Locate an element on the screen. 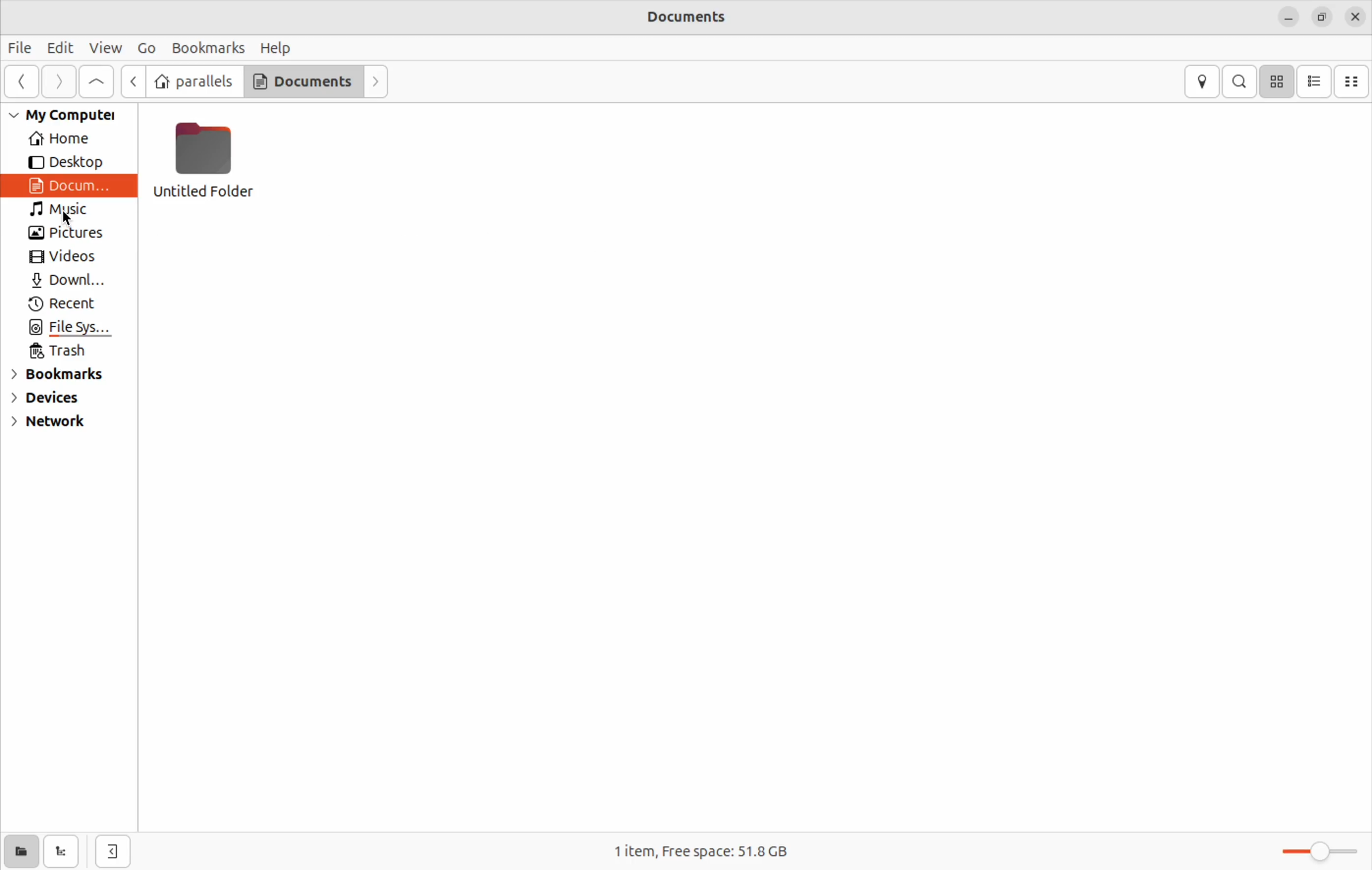  Compact view is located at coordinates (1353, 82).